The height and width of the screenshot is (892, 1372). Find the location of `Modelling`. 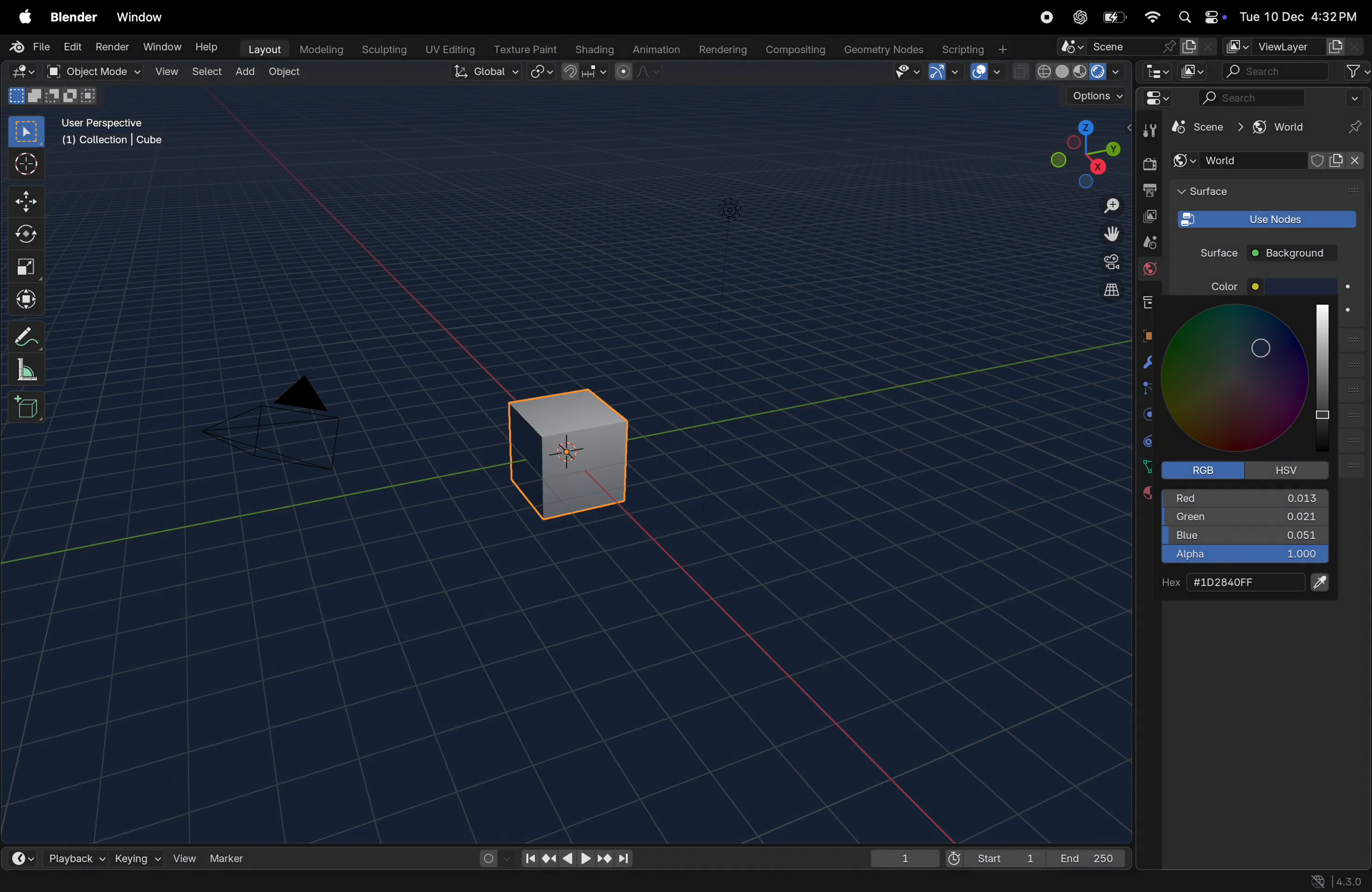

Modelling is located at coordinates (316, 50).